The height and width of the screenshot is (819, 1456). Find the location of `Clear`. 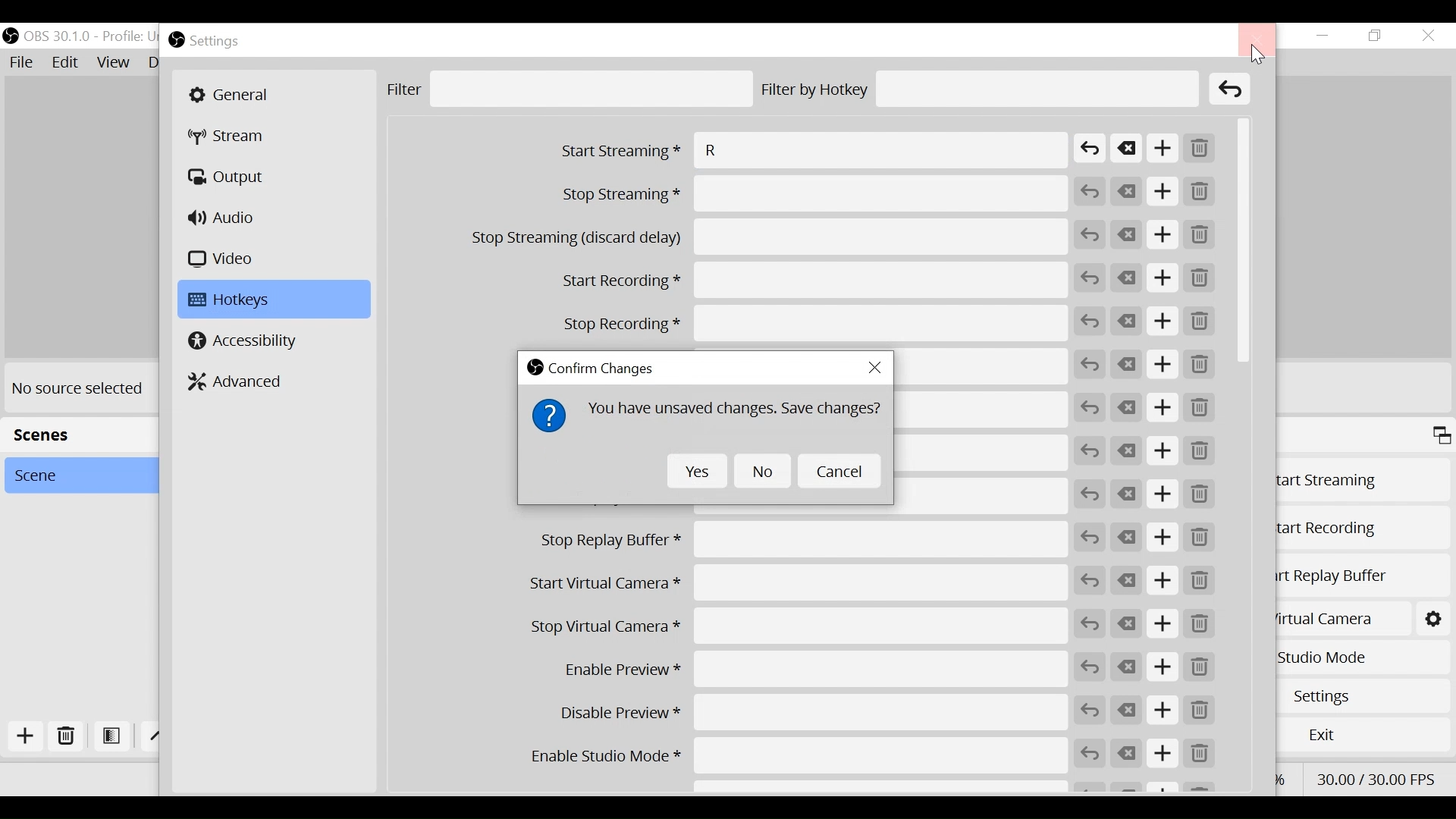

Clear is located at coordinates (1127, 149).